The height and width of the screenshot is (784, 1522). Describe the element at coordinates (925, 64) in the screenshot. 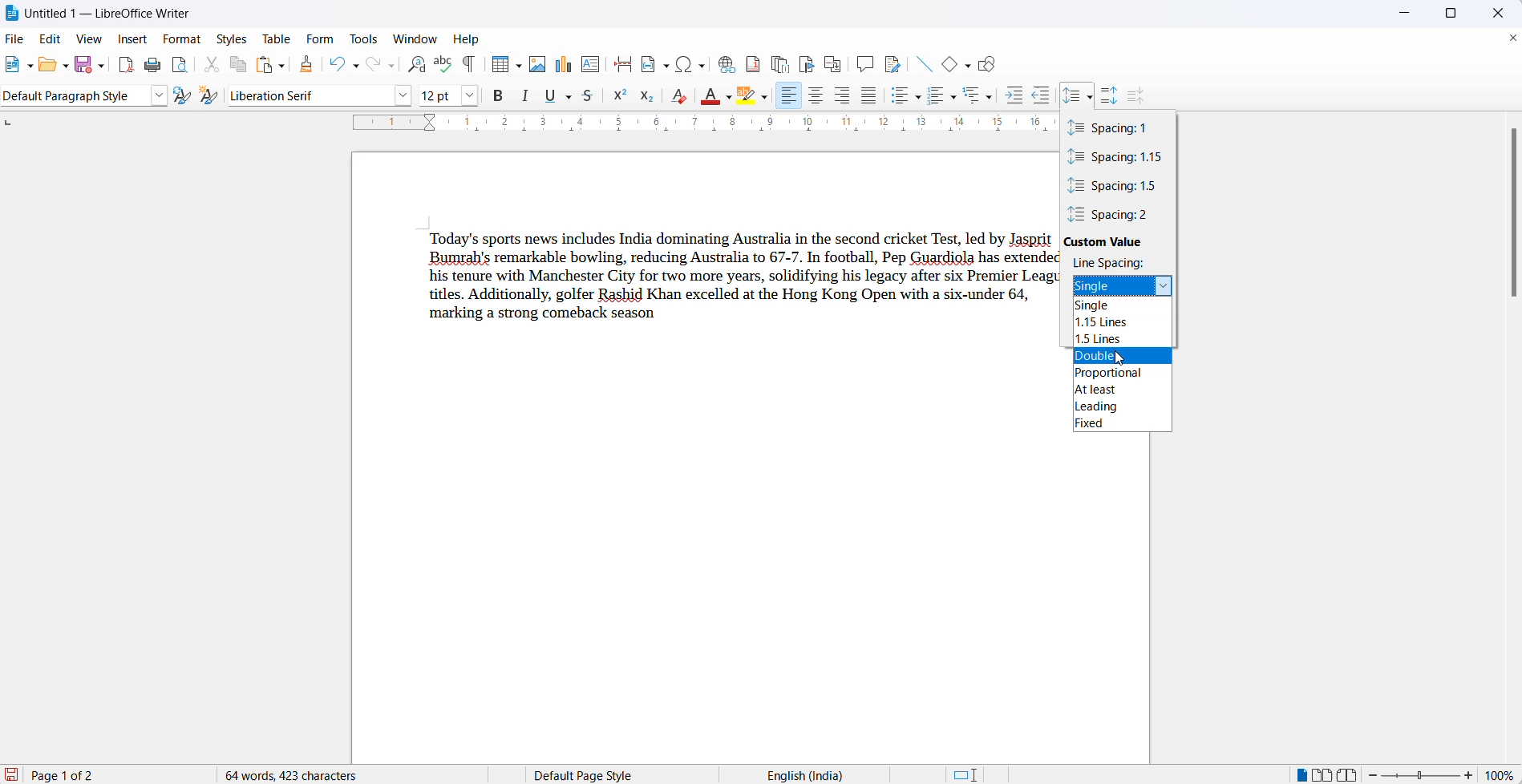

I see `insert line` at that location.